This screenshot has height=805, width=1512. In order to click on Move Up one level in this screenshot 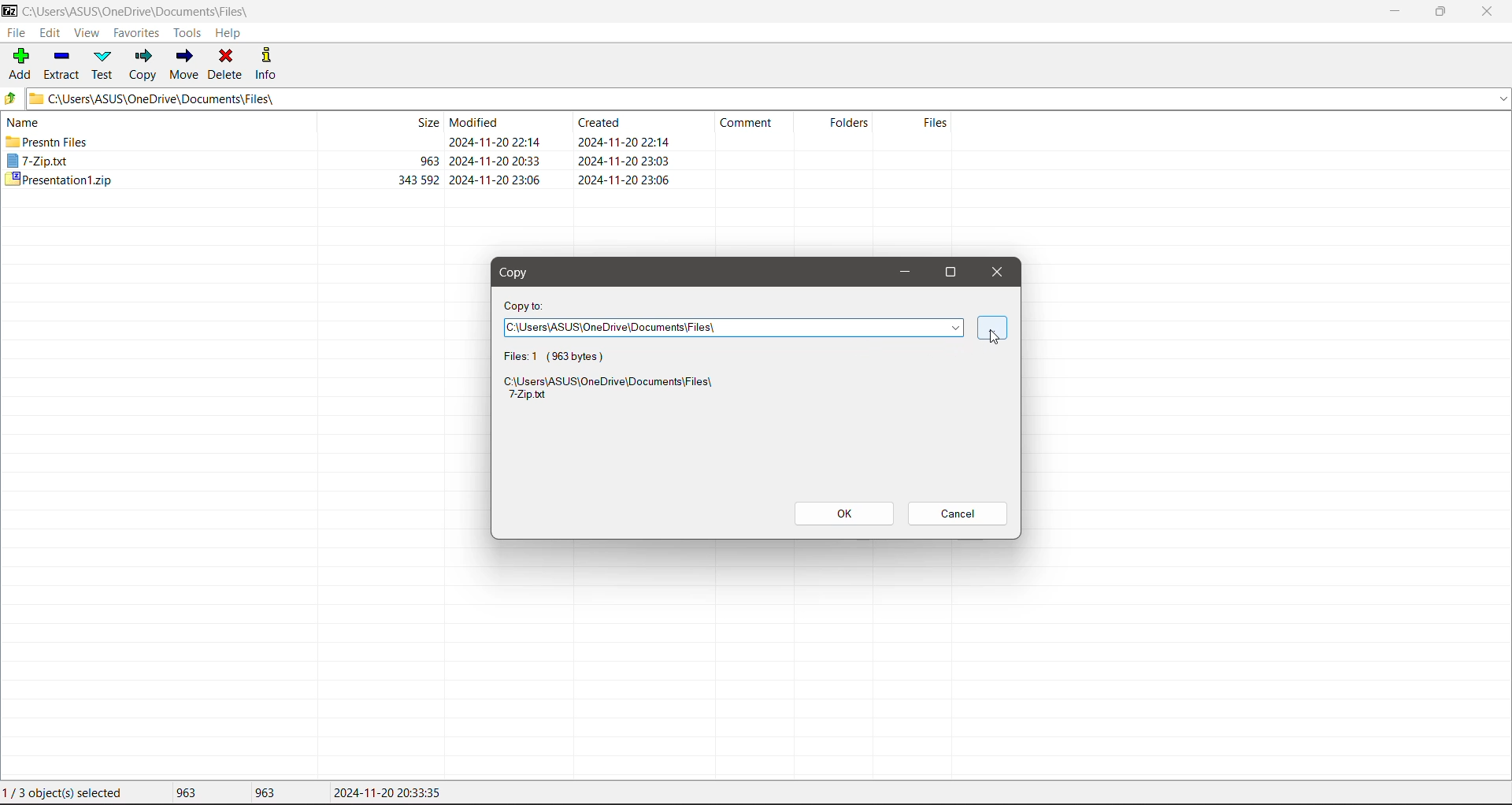, I will do `click(10, 98)`.